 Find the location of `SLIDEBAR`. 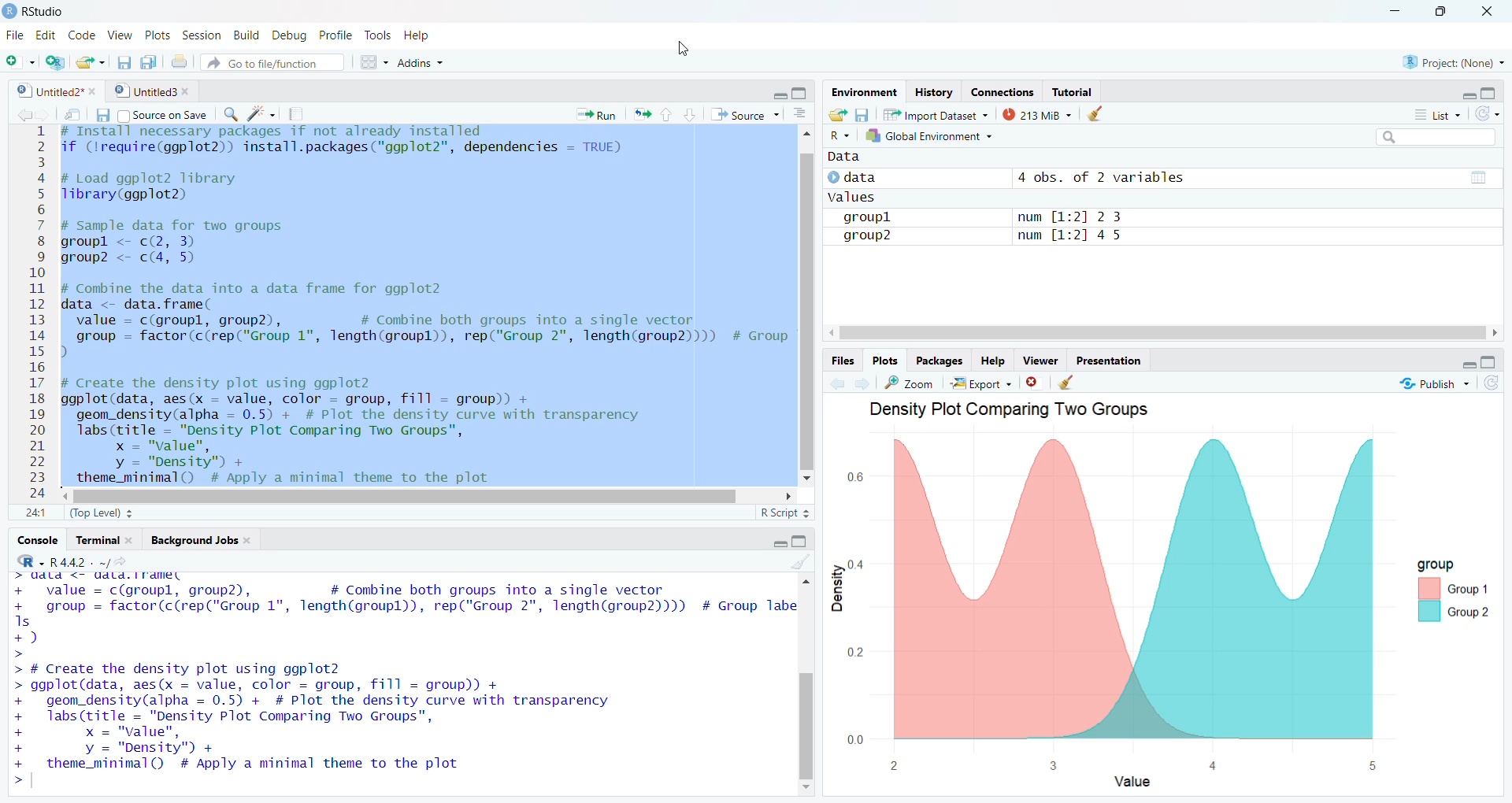

SLIDEBAR is located at coordinates (410, 496).